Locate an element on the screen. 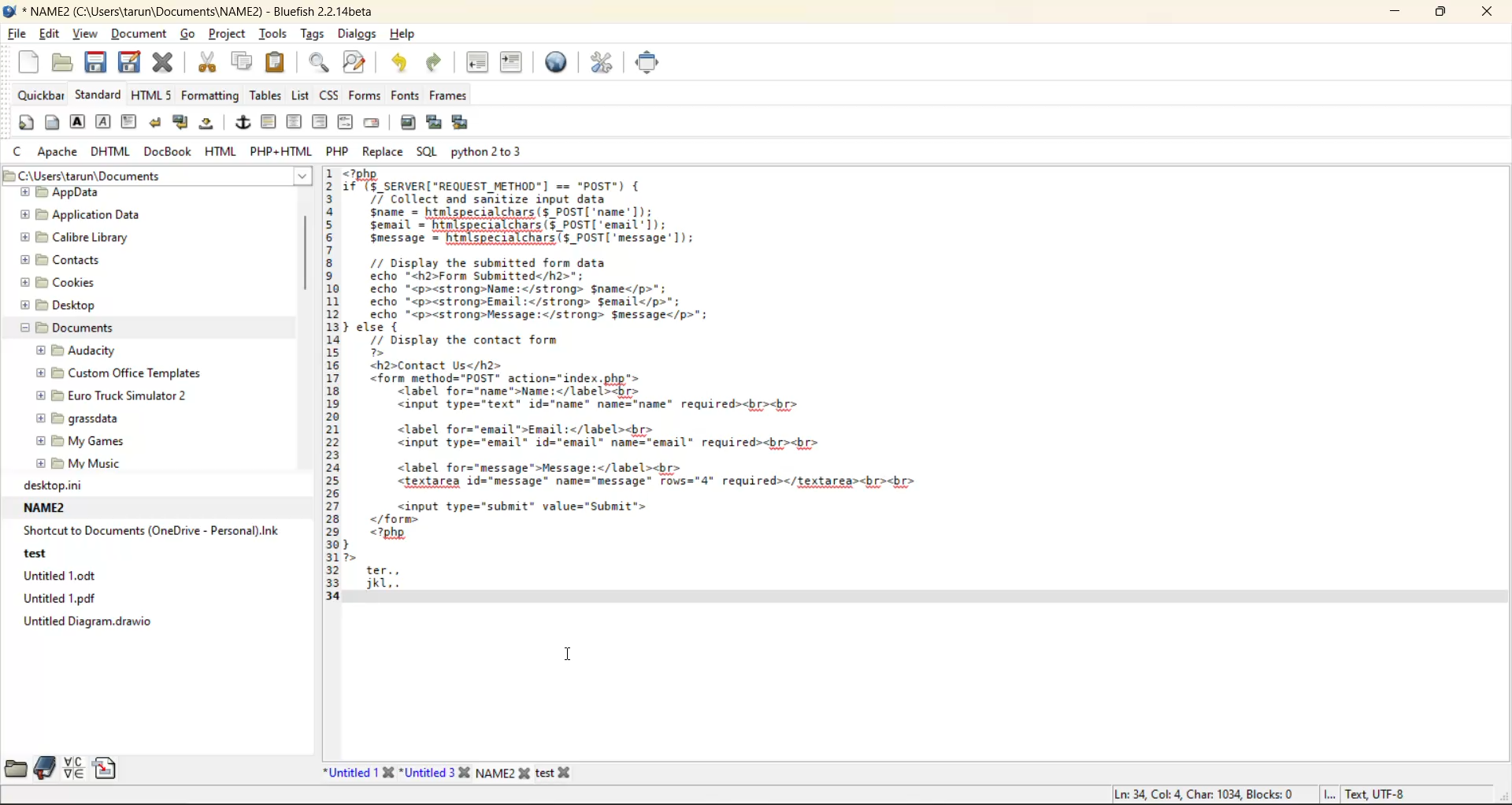  python 2 to 3 is located at coordinates (492, 150).